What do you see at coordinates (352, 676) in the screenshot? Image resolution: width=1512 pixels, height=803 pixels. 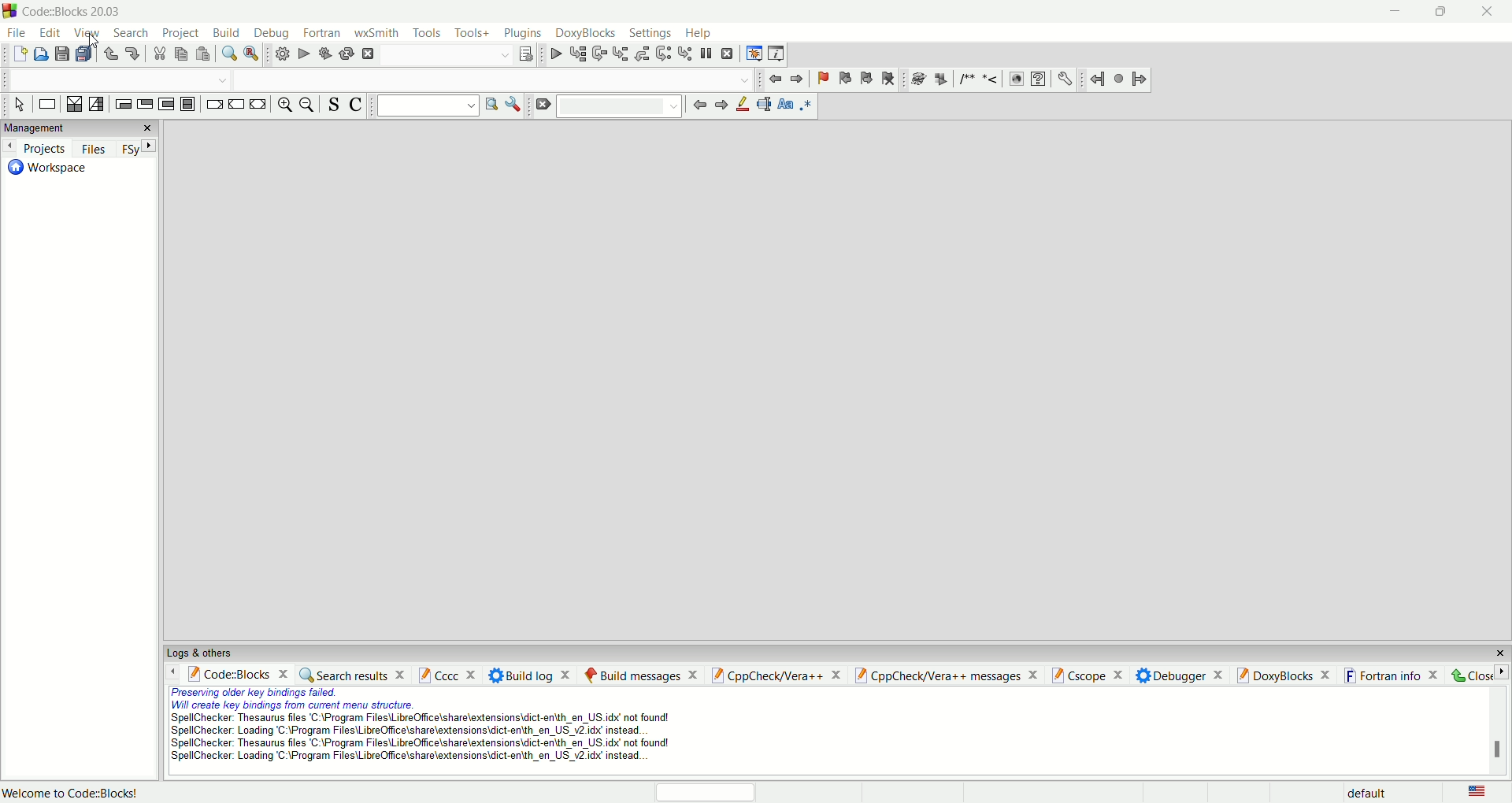 I see `search results` at bounding box center [352, 676].